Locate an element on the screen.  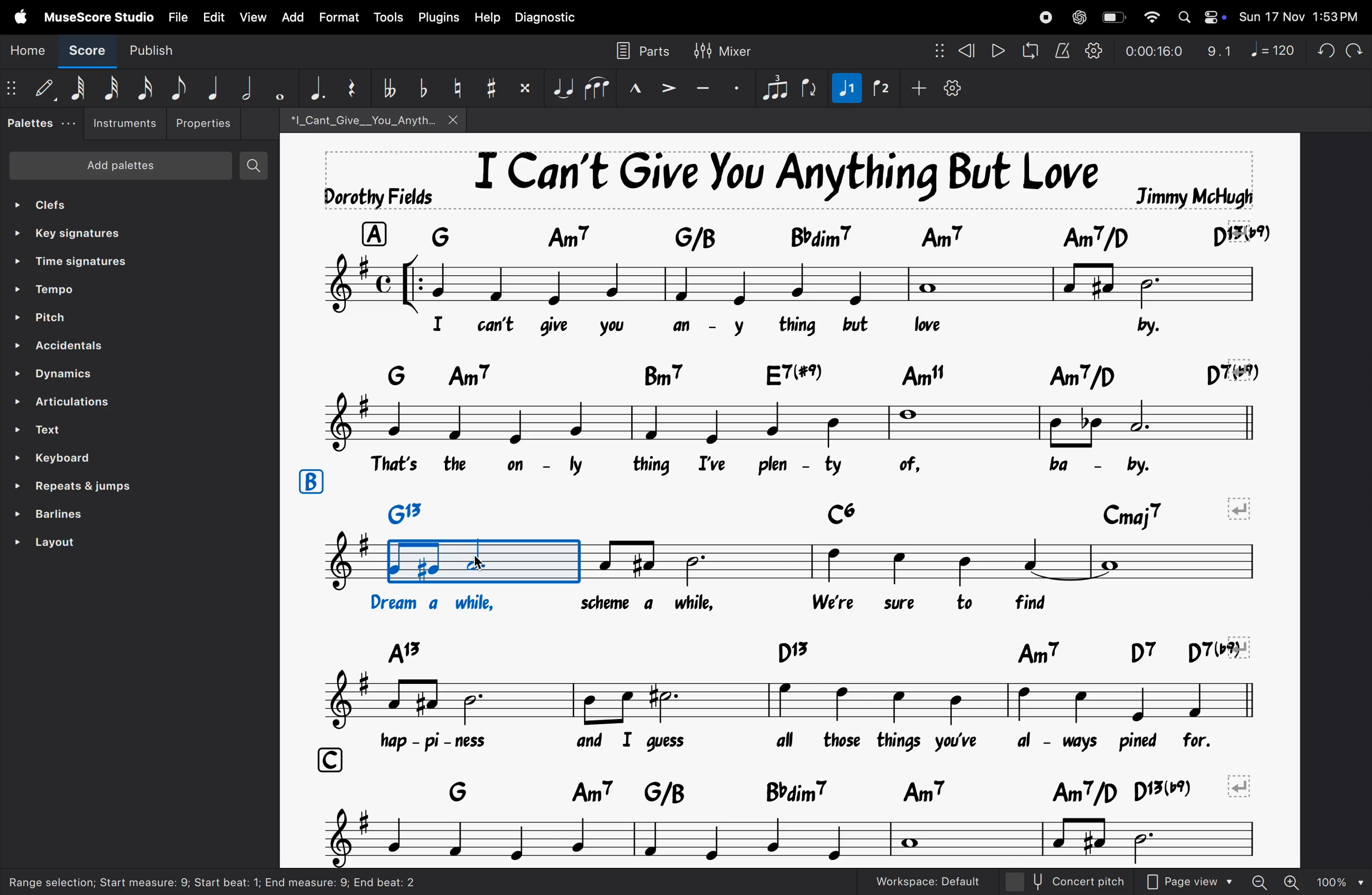
Edit is located at coordinates (214, 16).